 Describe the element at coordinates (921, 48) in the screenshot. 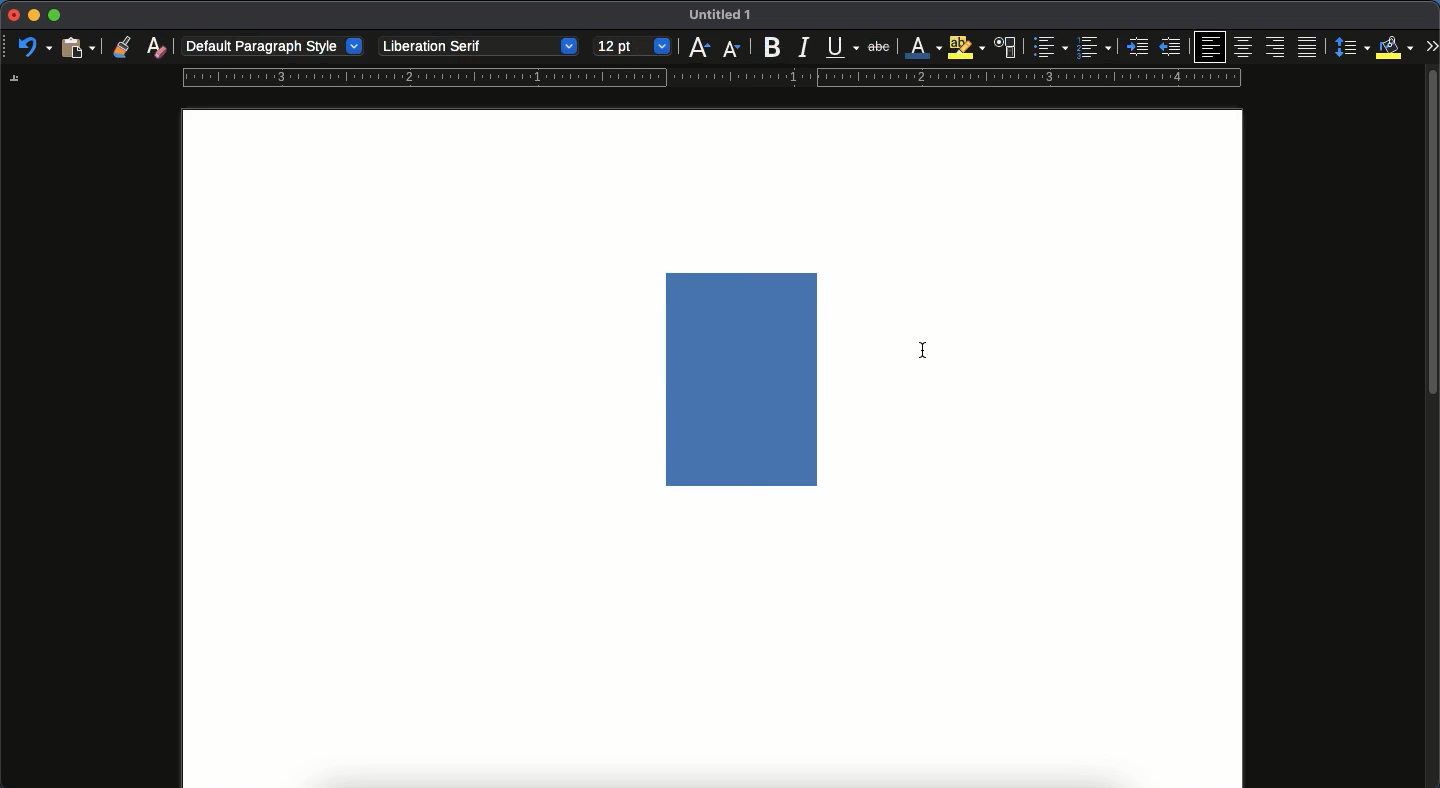

I see `line color` at that location.